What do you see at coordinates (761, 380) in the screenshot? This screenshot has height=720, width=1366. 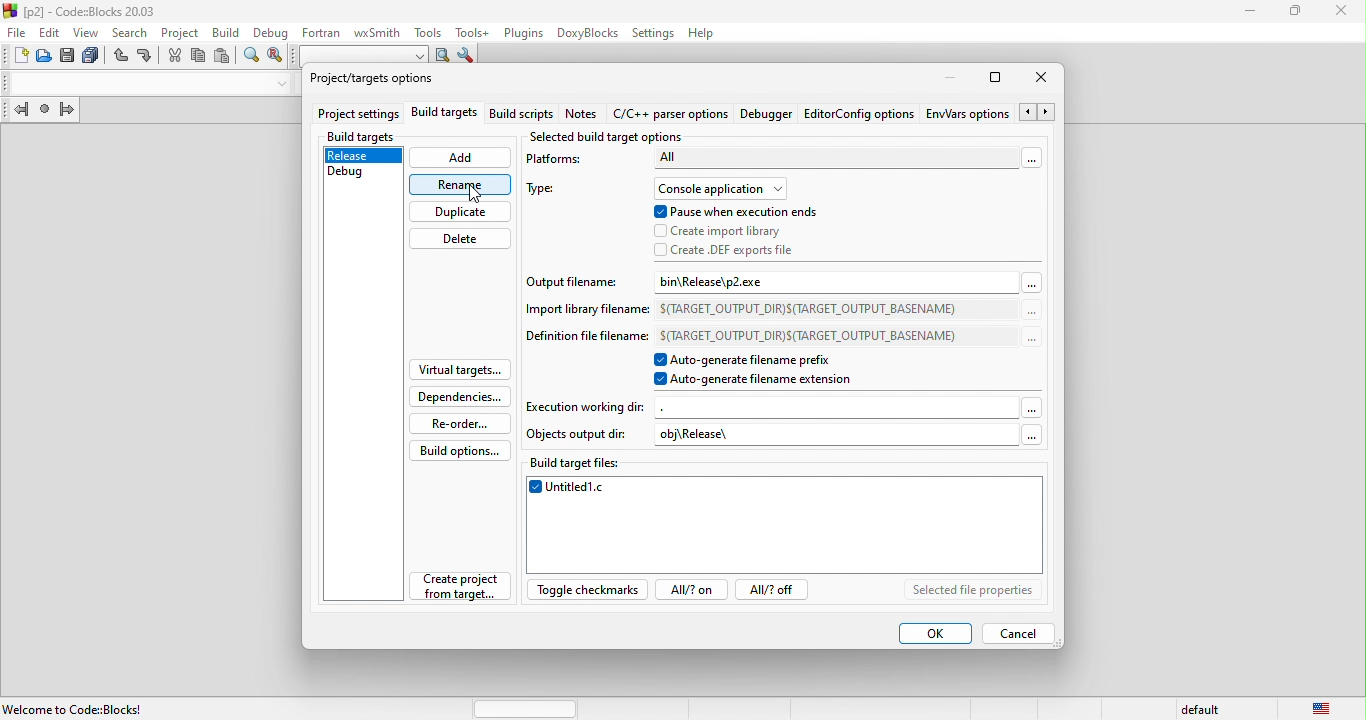 I see `auto generate filename extension` at bounding box center [761, 380].